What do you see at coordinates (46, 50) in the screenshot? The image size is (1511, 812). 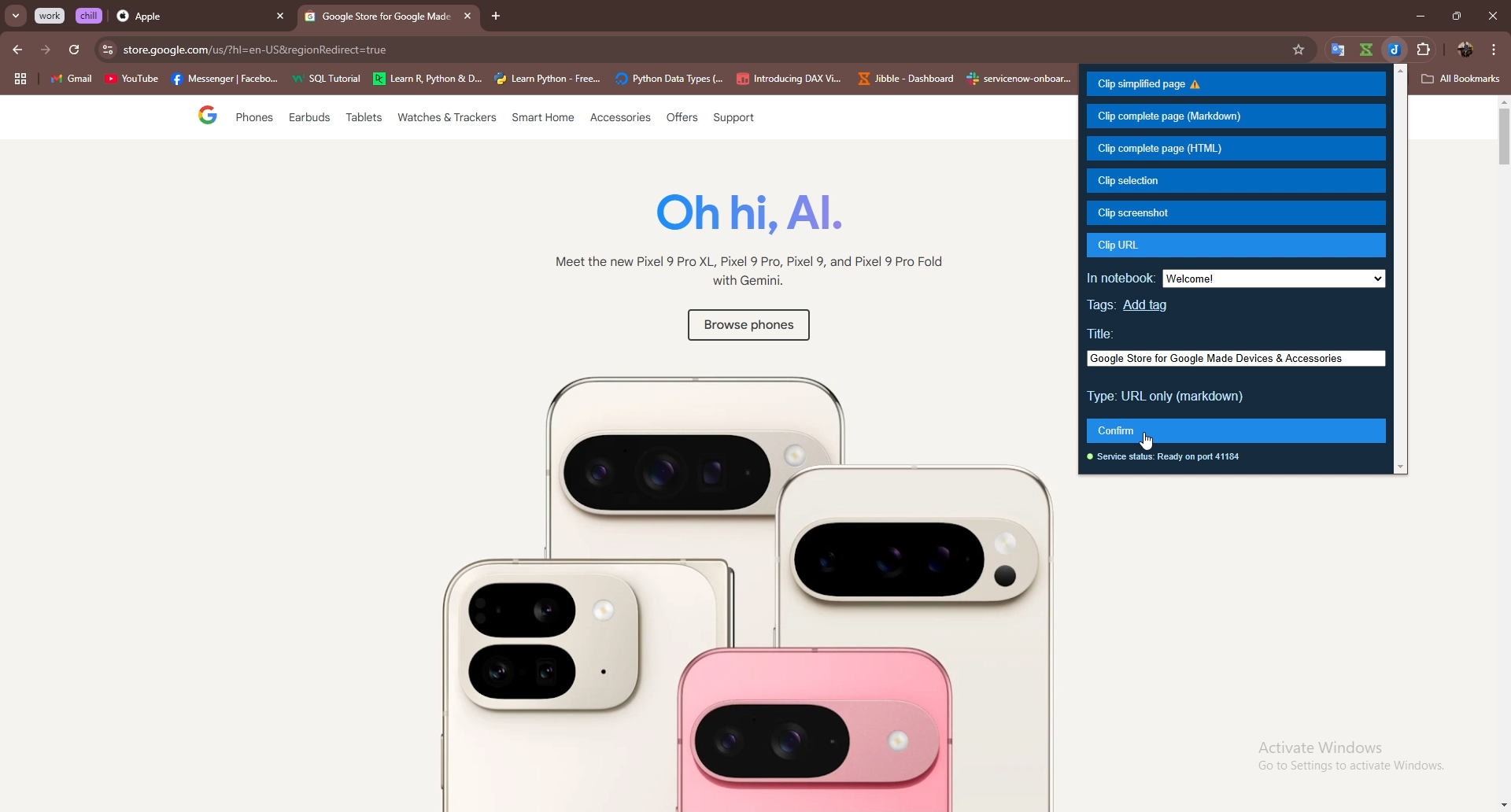 I see `forward` at bounding box center [46, 50].